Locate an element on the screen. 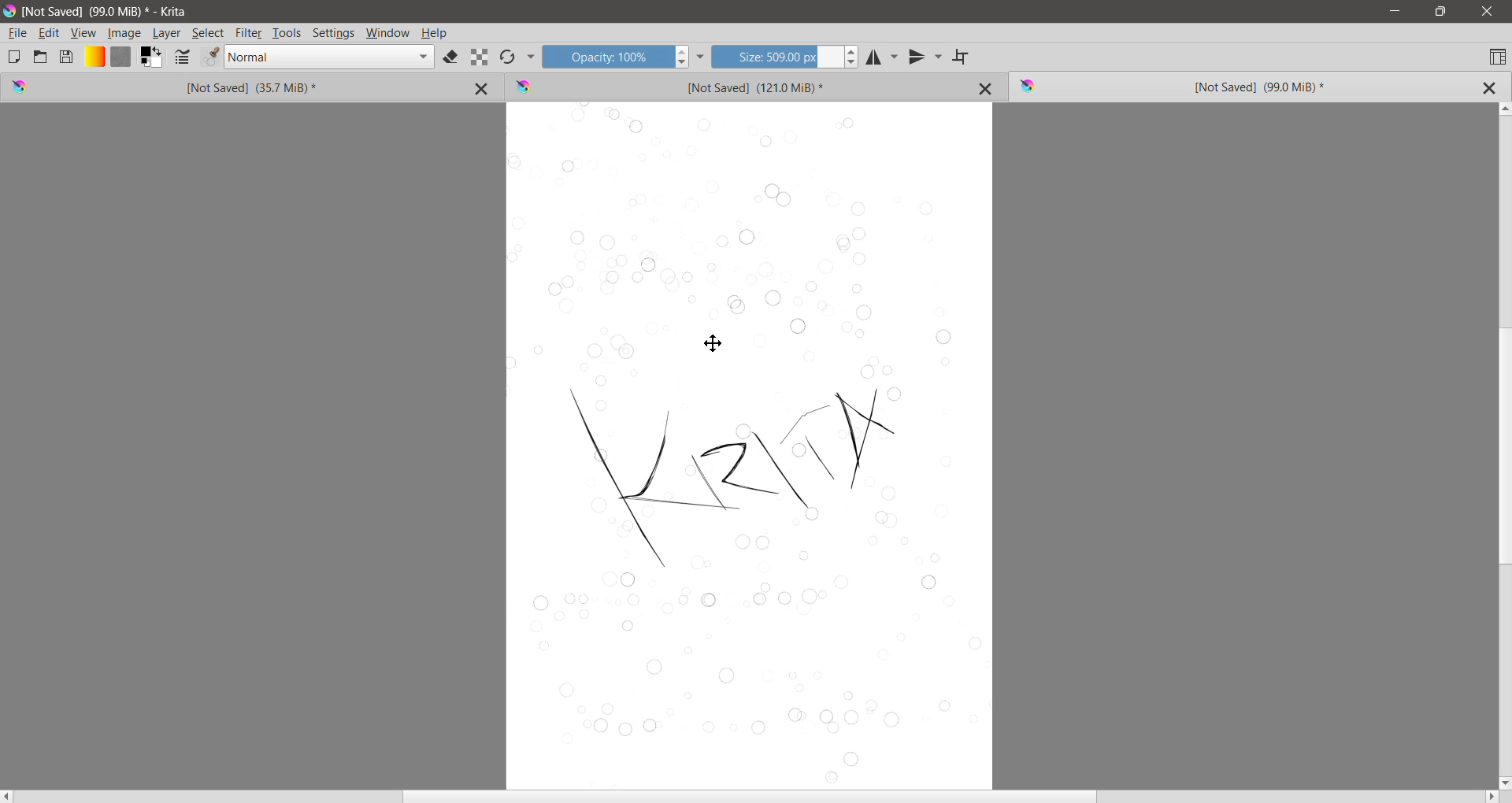  Unsaved Image Tab 2 is located at coordinates (730, 86).